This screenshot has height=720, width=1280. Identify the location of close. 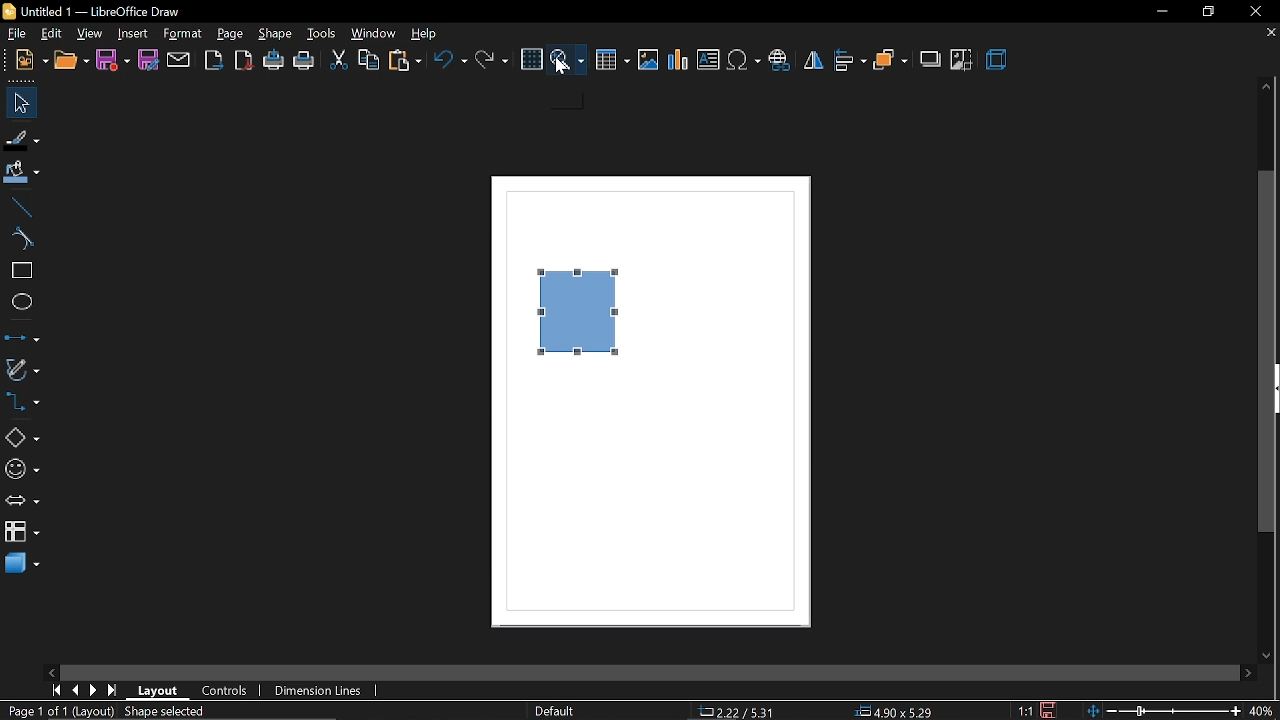
(1253, 10).